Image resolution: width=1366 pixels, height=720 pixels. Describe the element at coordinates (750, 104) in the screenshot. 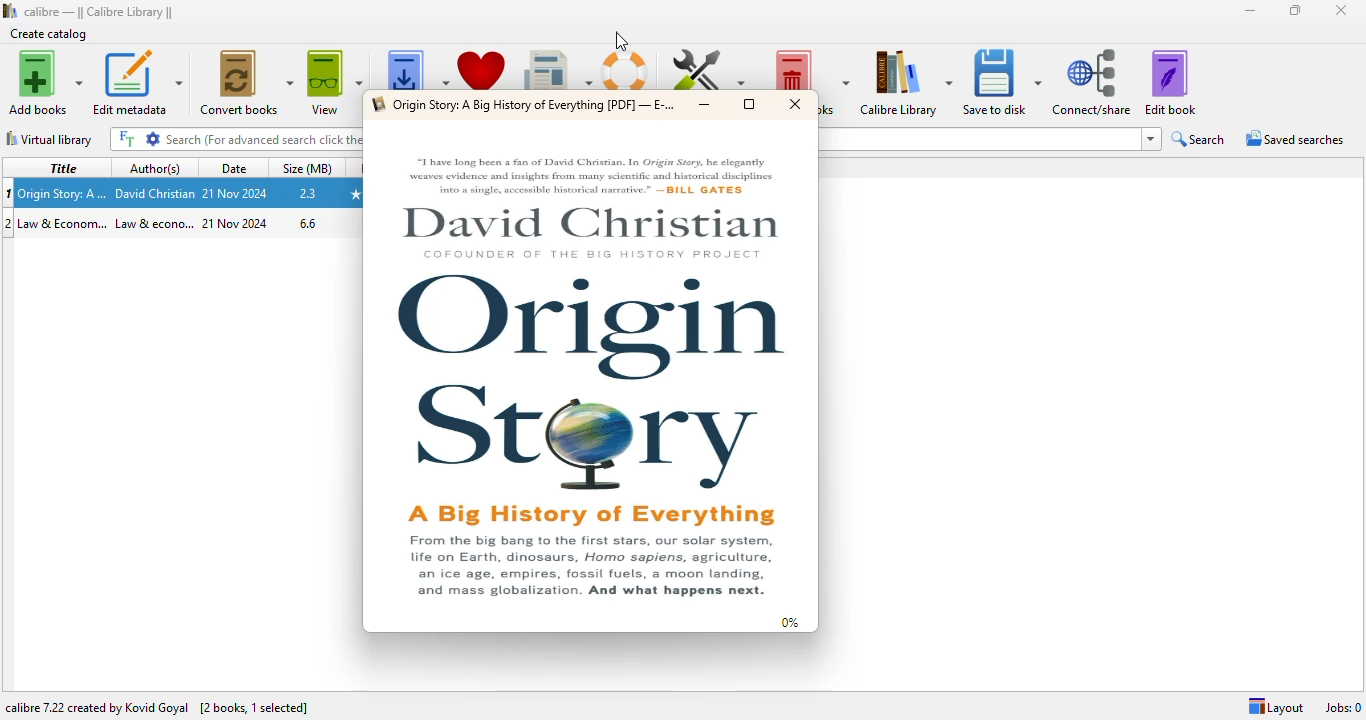

I see `maximize` at that location.